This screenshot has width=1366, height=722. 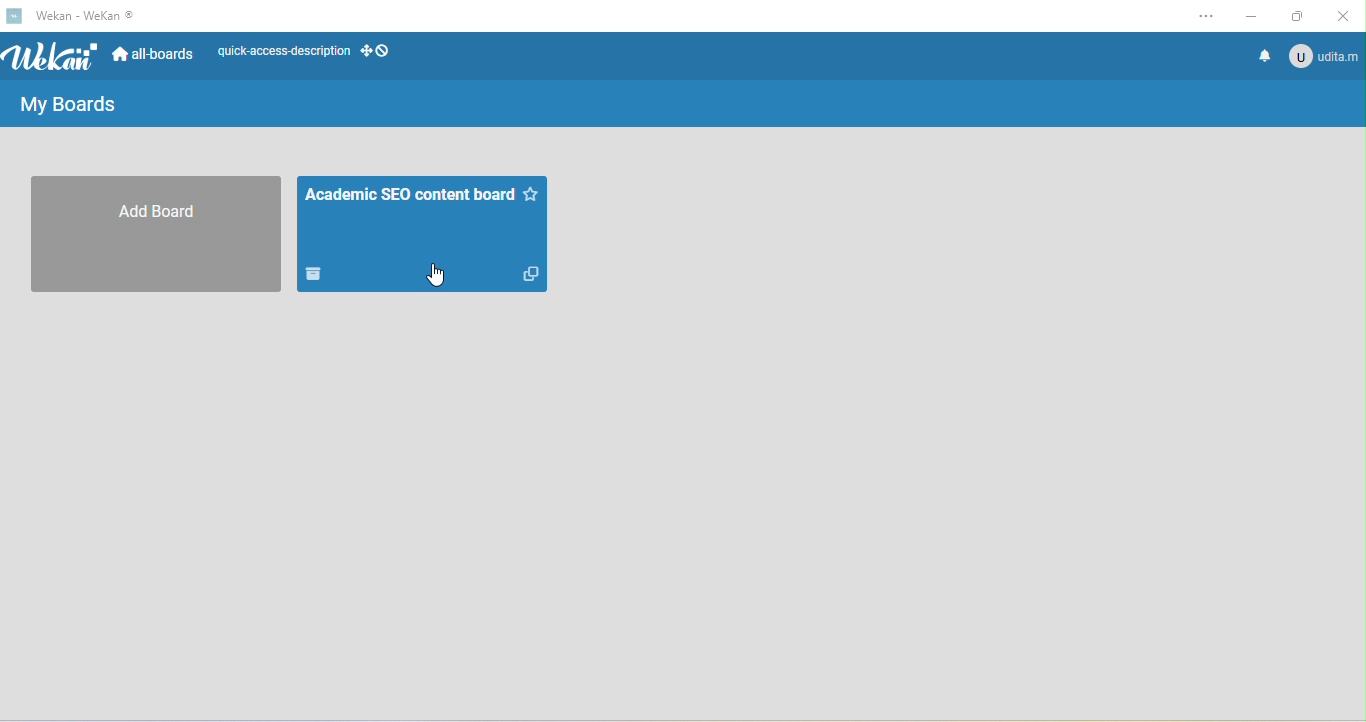 I want to click on star this board, so click(x=531, y=195).